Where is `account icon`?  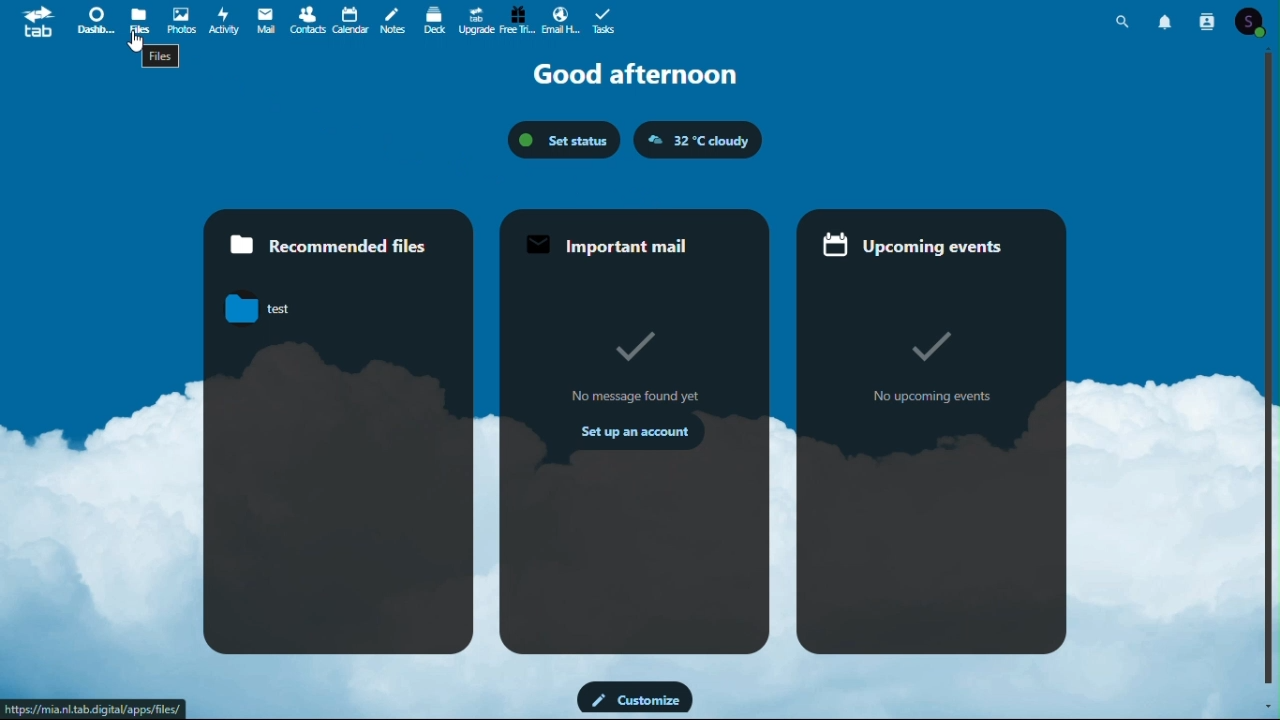
account icon is located at coordinates (1254, 21).